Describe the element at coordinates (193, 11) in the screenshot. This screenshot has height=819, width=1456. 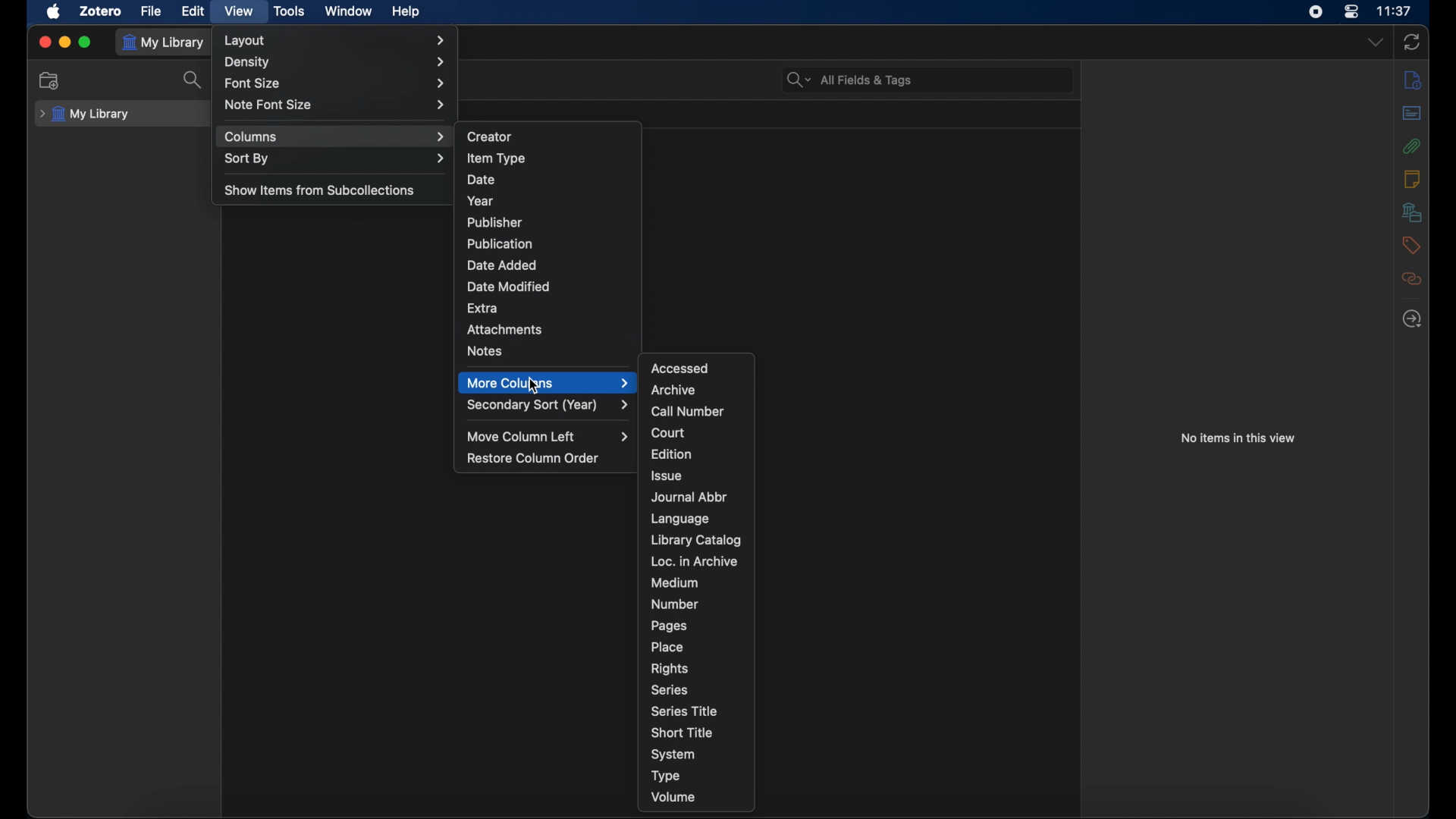
I see `edit` at that location.